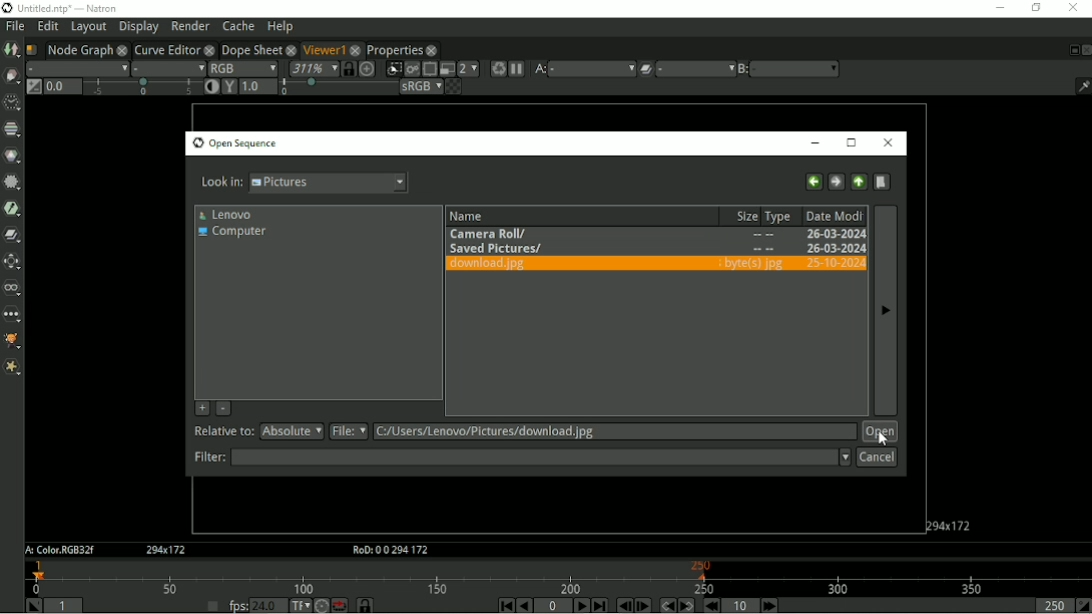 The image size is (1092, 614). What do you see at coordinates (13, 234) in the screenshot?
I see `Merge` at bounding box center [13, 234].